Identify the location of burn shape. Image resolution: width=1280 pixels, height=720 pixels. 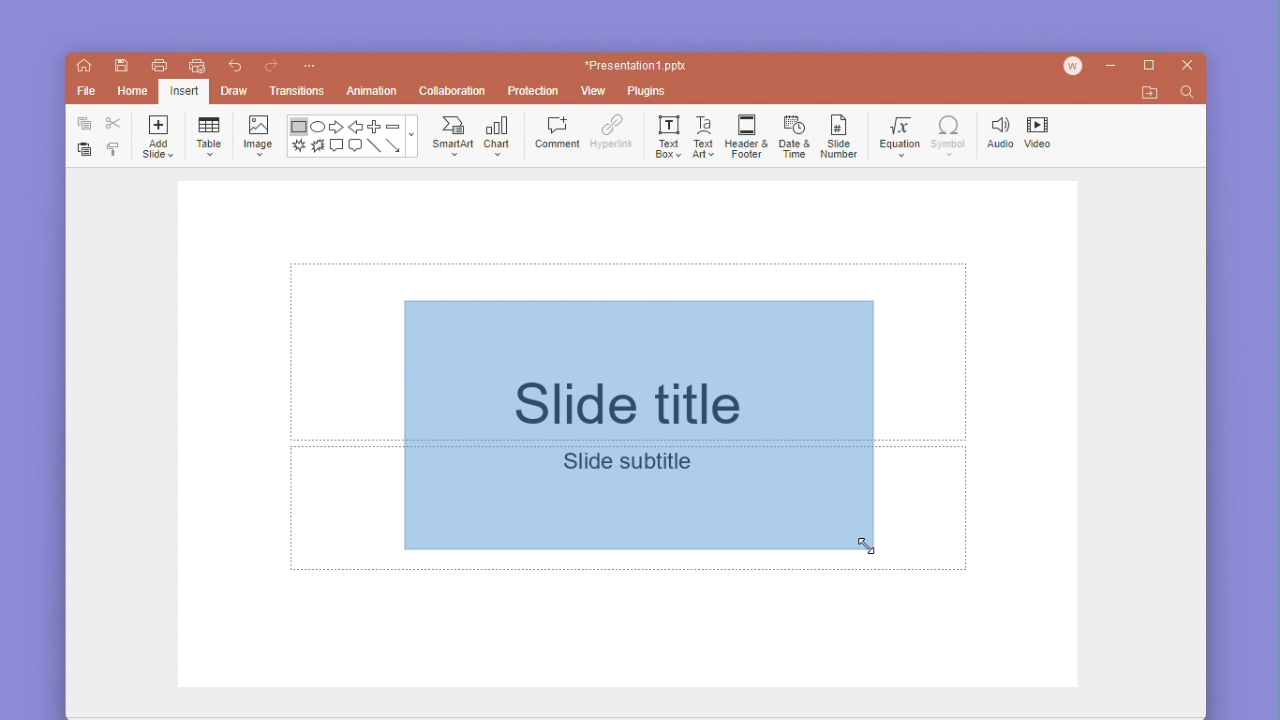
(318, 147).